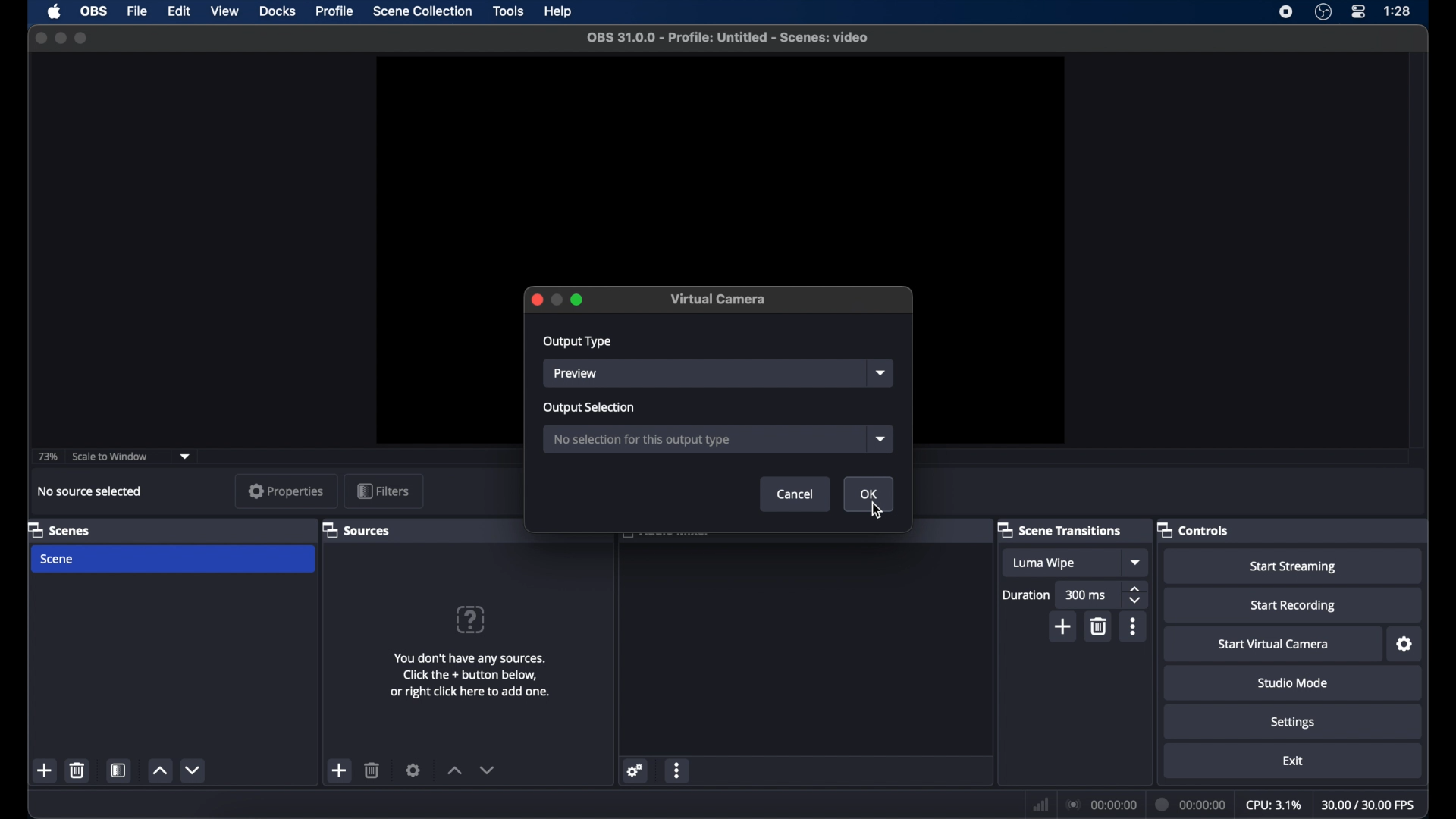 The image size is (1456, 819). I want to click on controls, so click(1195, 530).